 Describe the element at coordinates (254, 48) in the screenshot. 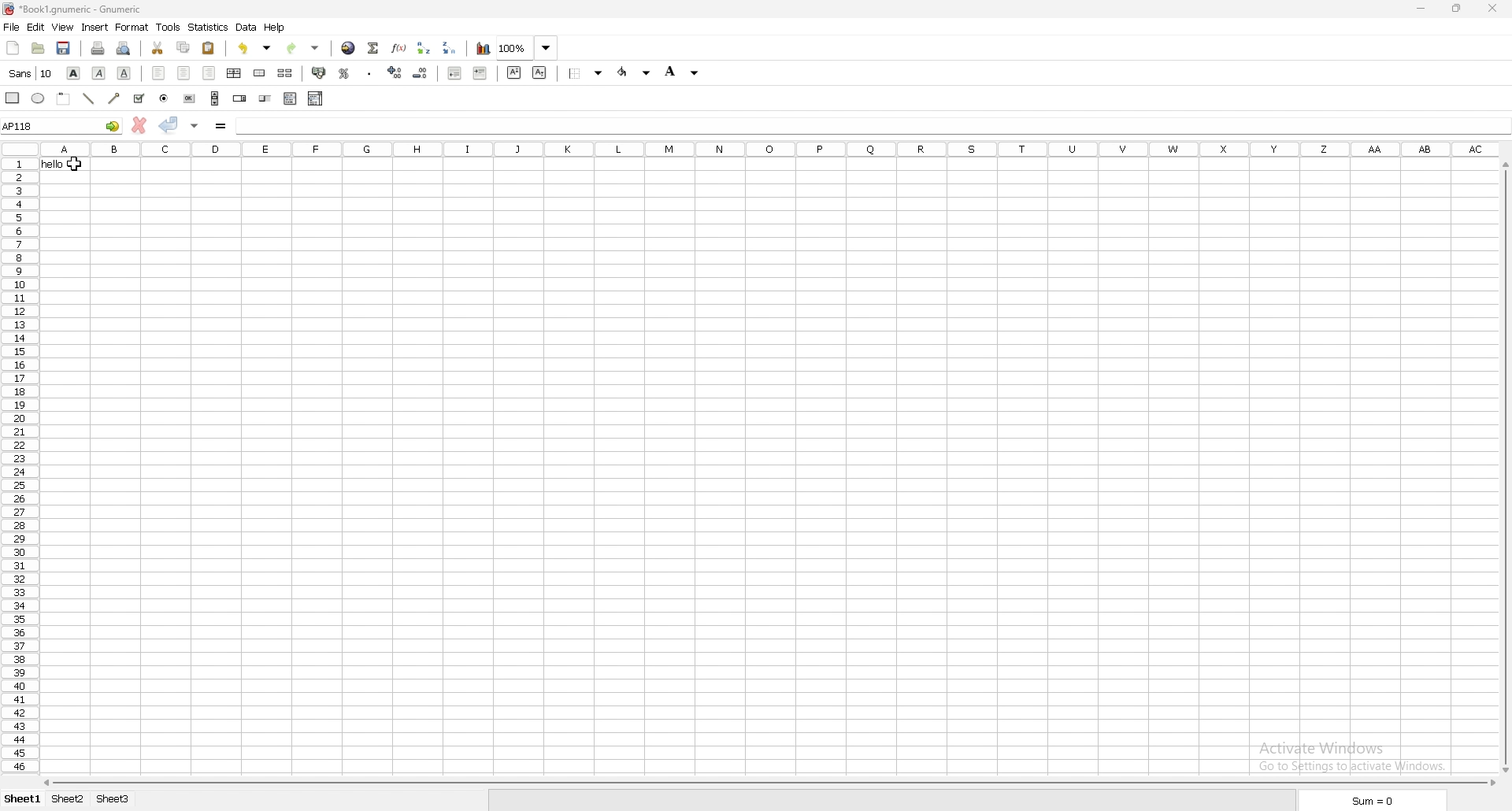

I see `undo` at that location.